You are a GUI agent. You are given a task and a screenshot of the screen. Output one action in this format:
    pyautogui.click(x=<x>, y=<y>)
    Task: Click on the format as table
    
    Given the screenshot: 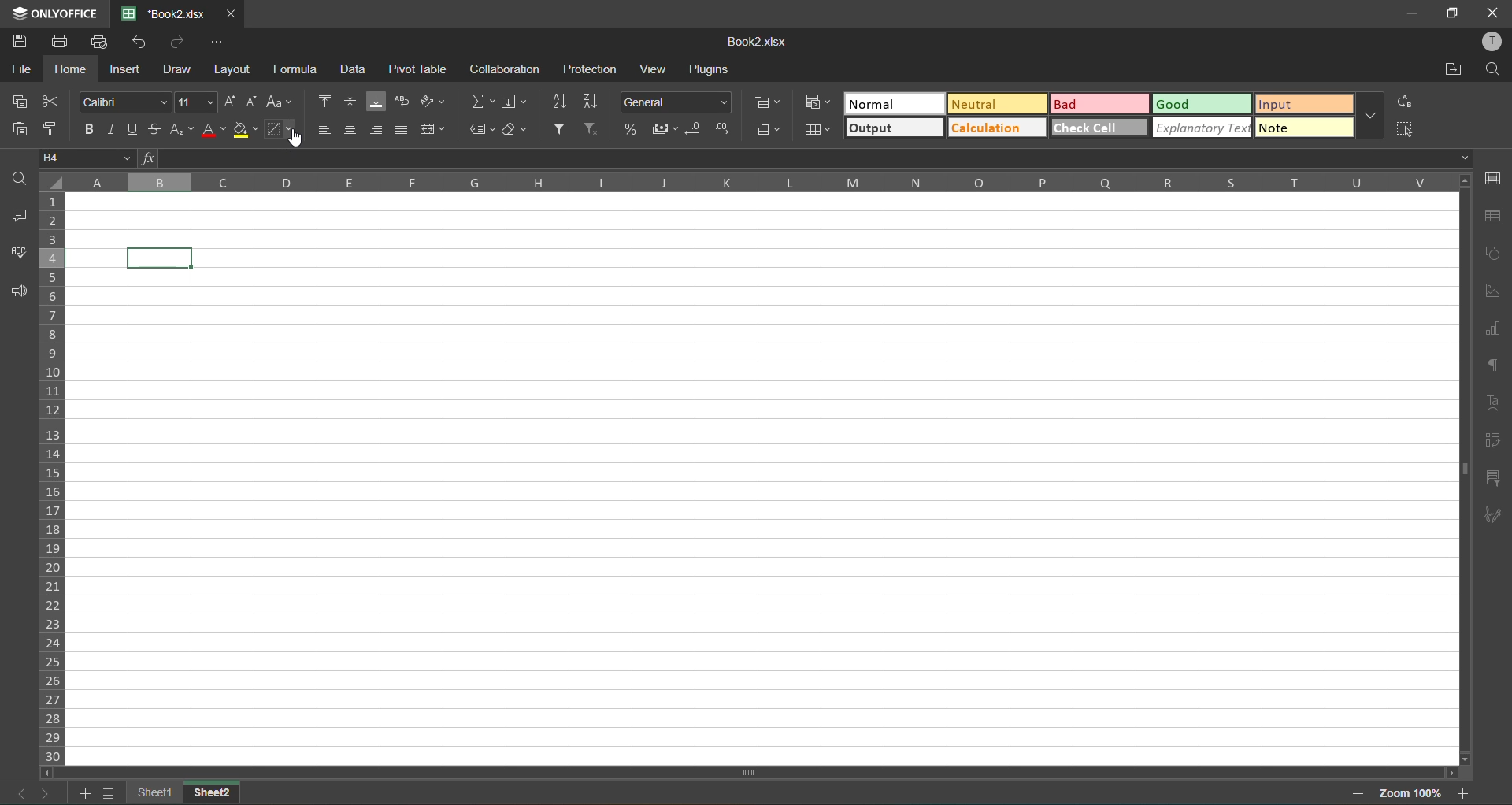 What is the action you would take?
    pyautogui.click(x=821, y=131)
    